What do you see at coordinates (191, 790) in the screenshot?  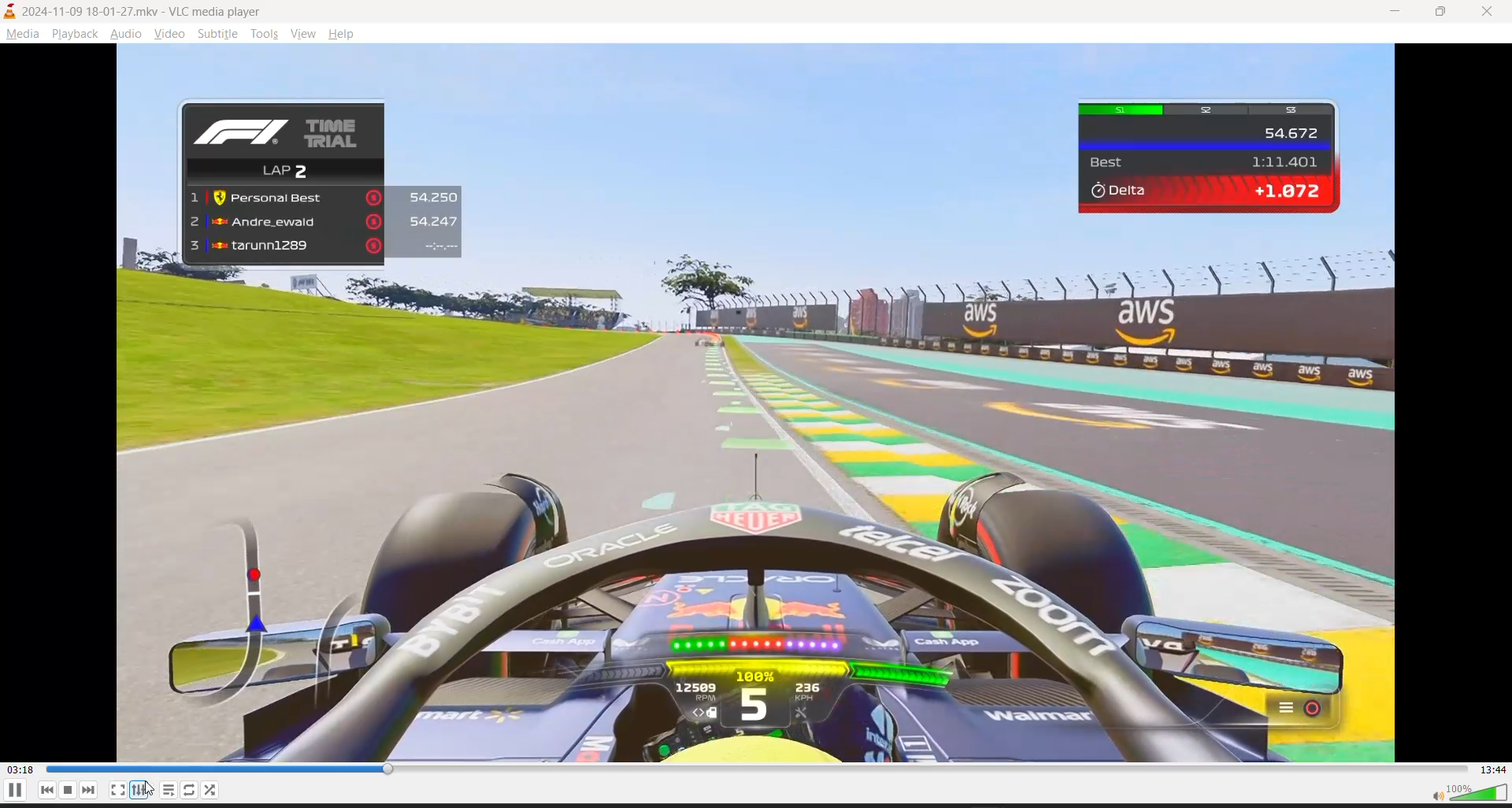 I see `random` at bounding box center [191, 790].